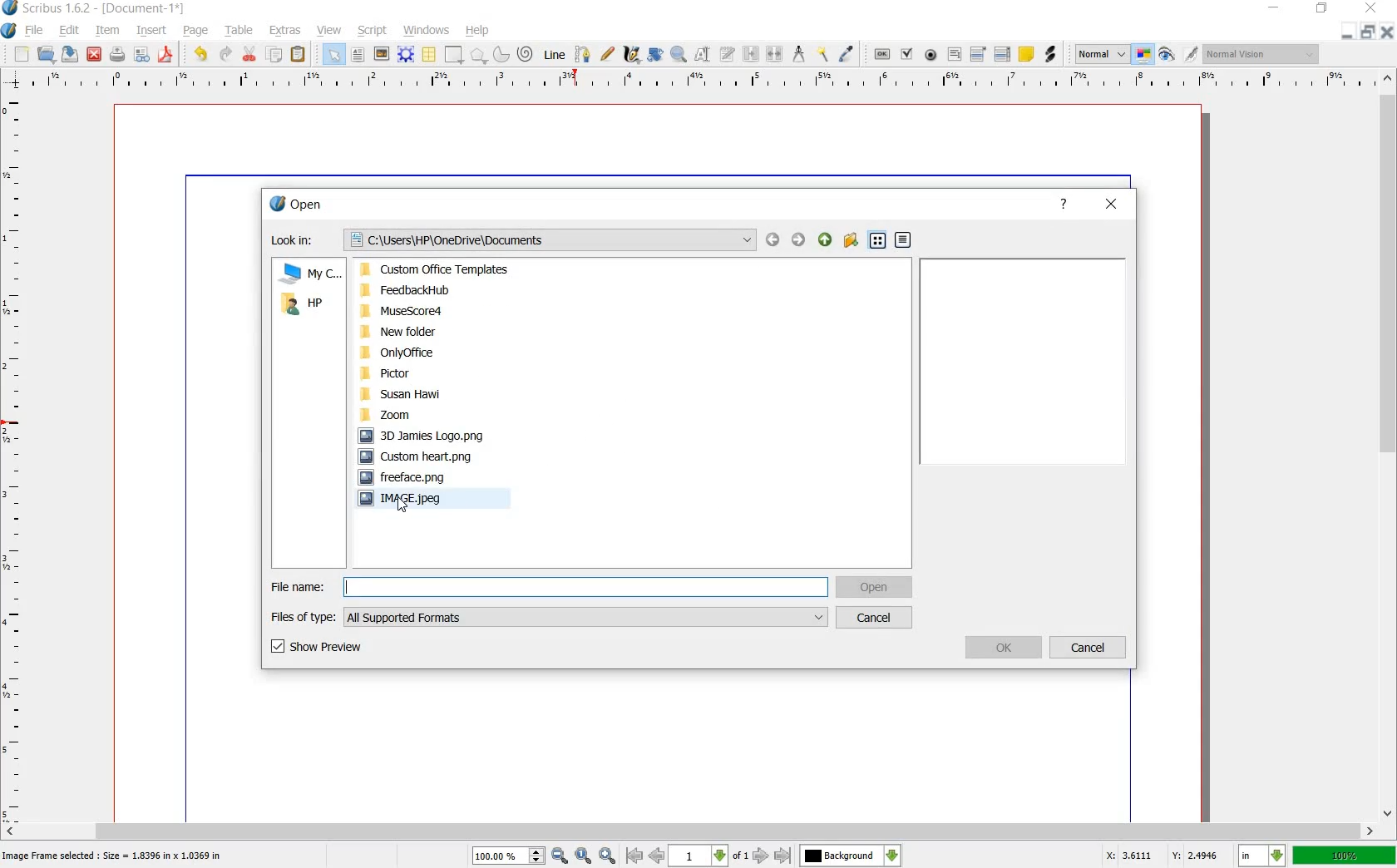 The height and width of the screenshot is (868, 1397). What do you see at coordinates (876, 617) in the screenshot?
I see `CANCEL` at bounding box center [876, 617].